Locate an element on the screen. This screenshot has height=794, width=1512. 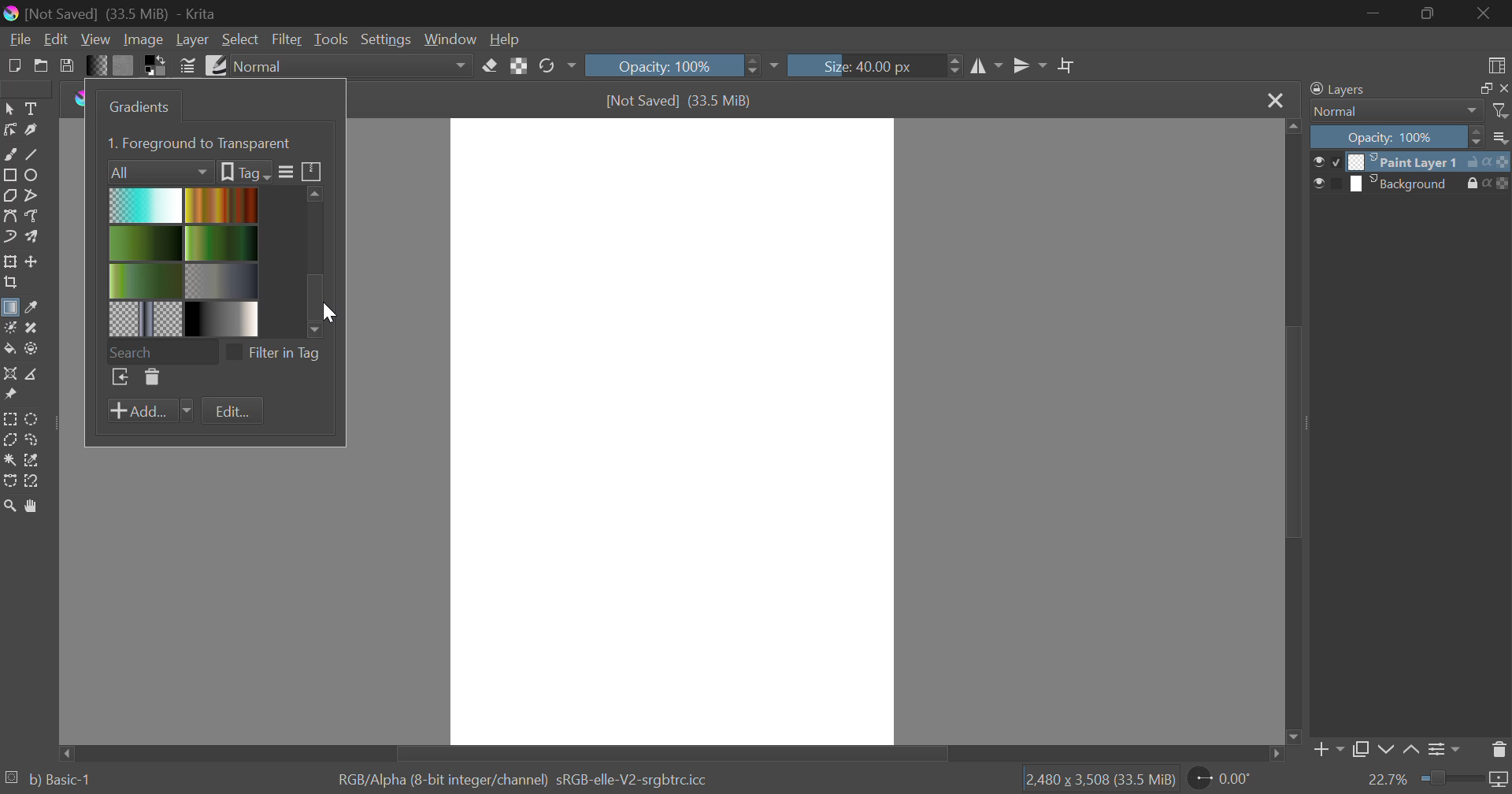
Gradient 3 is located at coordinates (146, 243).